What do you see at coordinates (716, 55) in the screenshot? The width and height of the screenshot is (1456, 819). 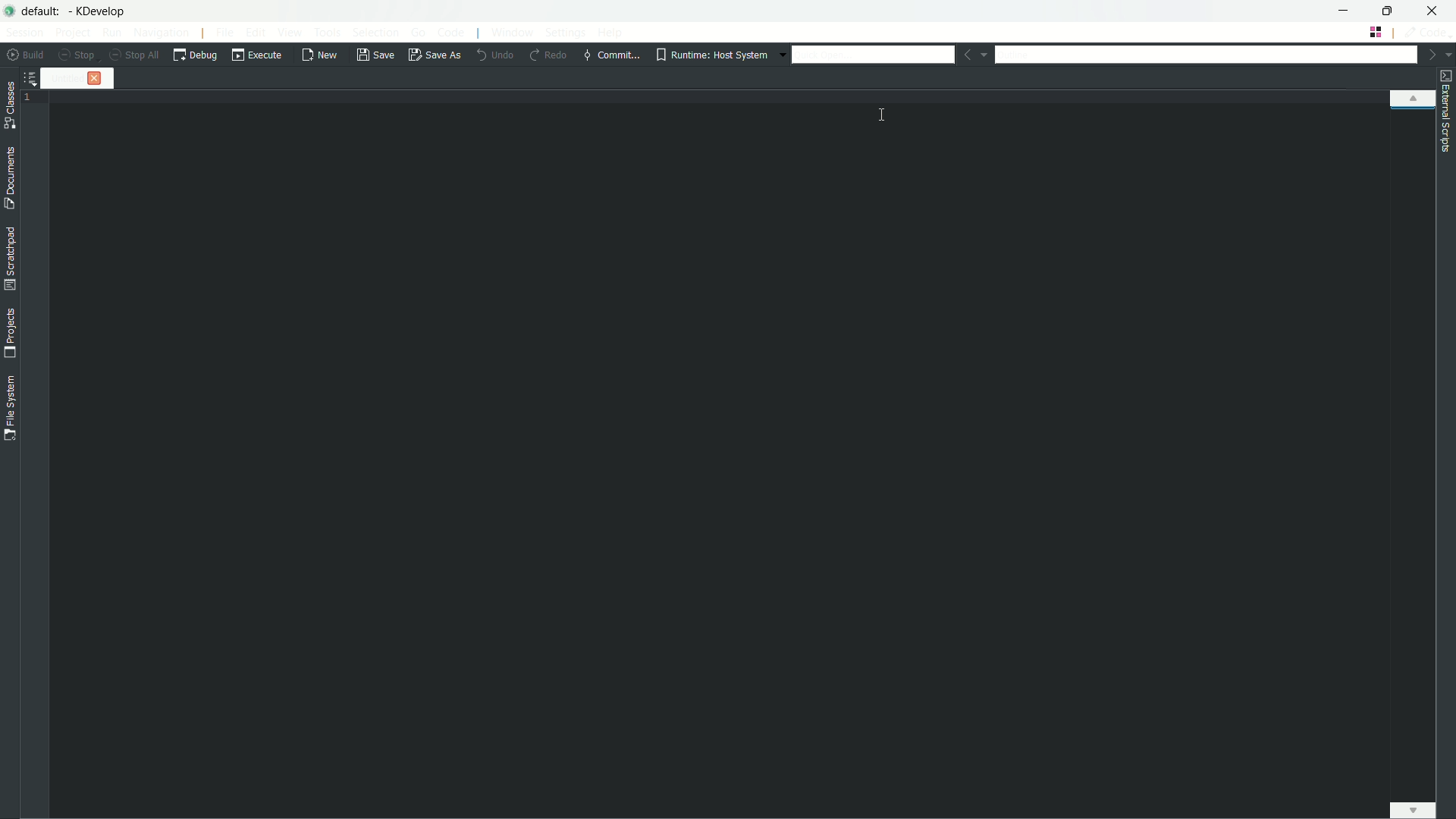 I see `runtime host system` at bounding box center [716, 55].